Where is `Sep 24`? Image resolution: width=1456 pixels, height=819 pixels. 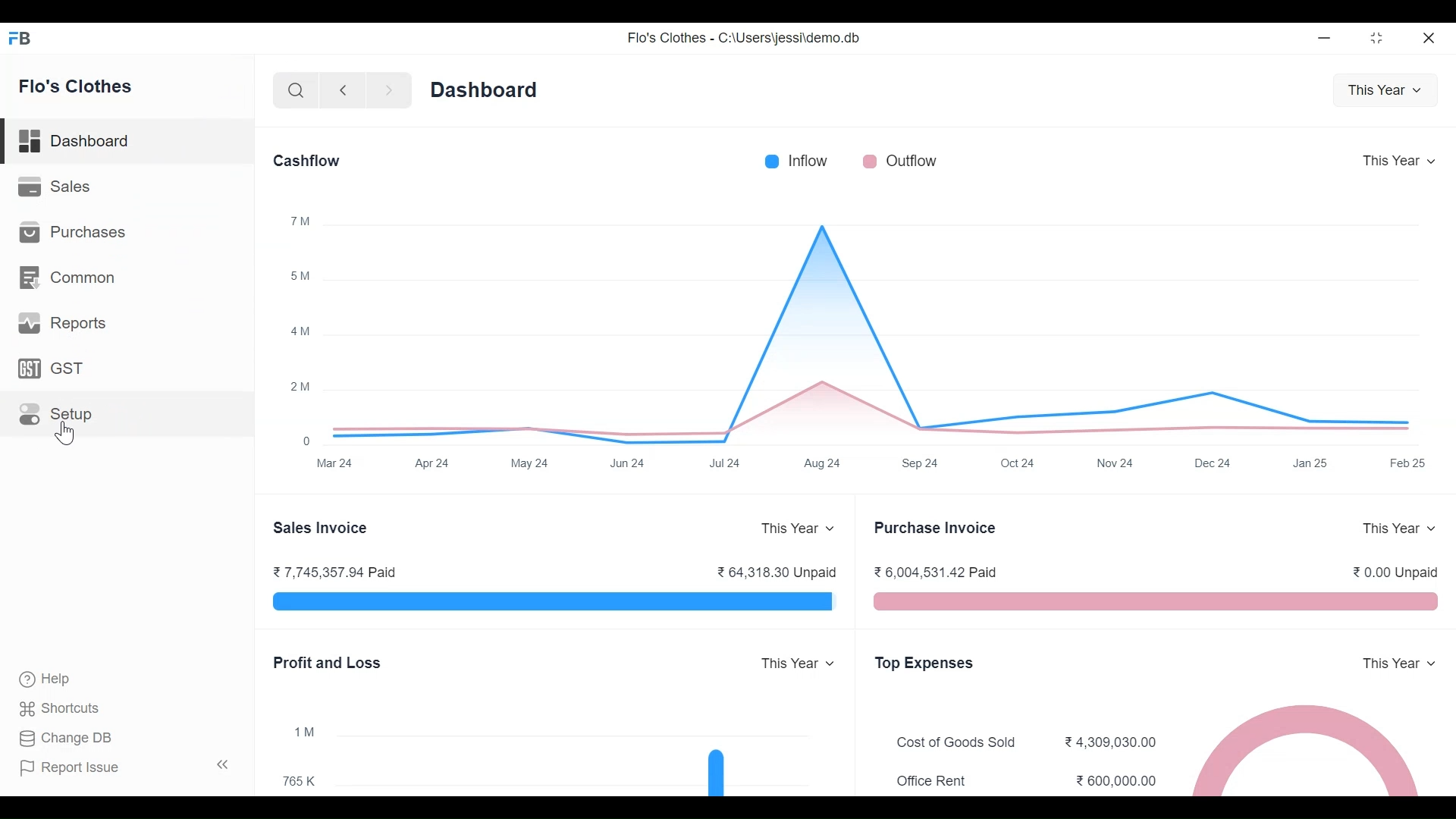 Sep 24 is located at coordinates (922, 463).